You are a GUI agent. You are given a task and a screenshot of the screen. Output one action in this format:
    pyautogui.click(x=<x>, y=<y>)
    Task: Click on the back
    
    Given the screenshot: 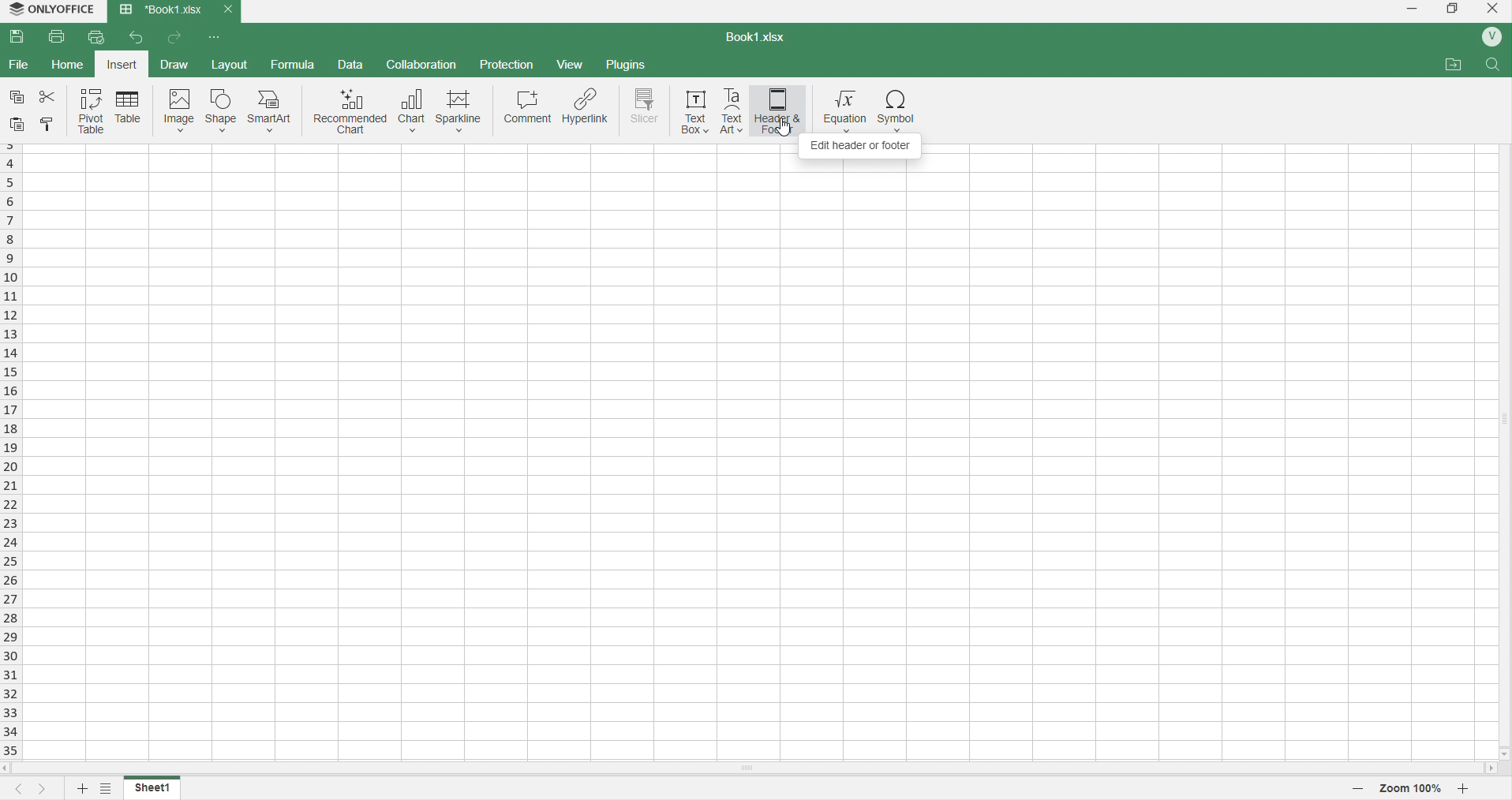 What is the action you would take?
    pyautogui.click(x=137, y=36)
    